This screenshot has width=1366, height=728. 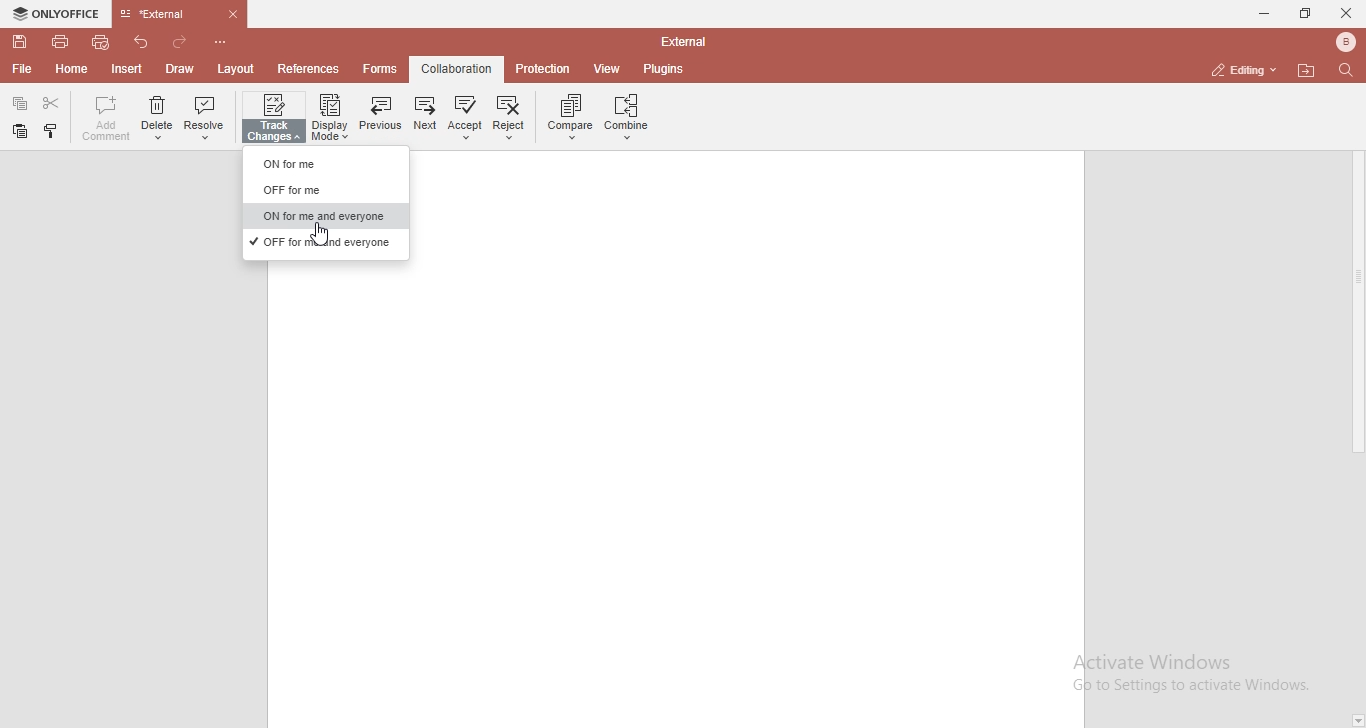 I want to click on reject, so click(x=511, y=117).